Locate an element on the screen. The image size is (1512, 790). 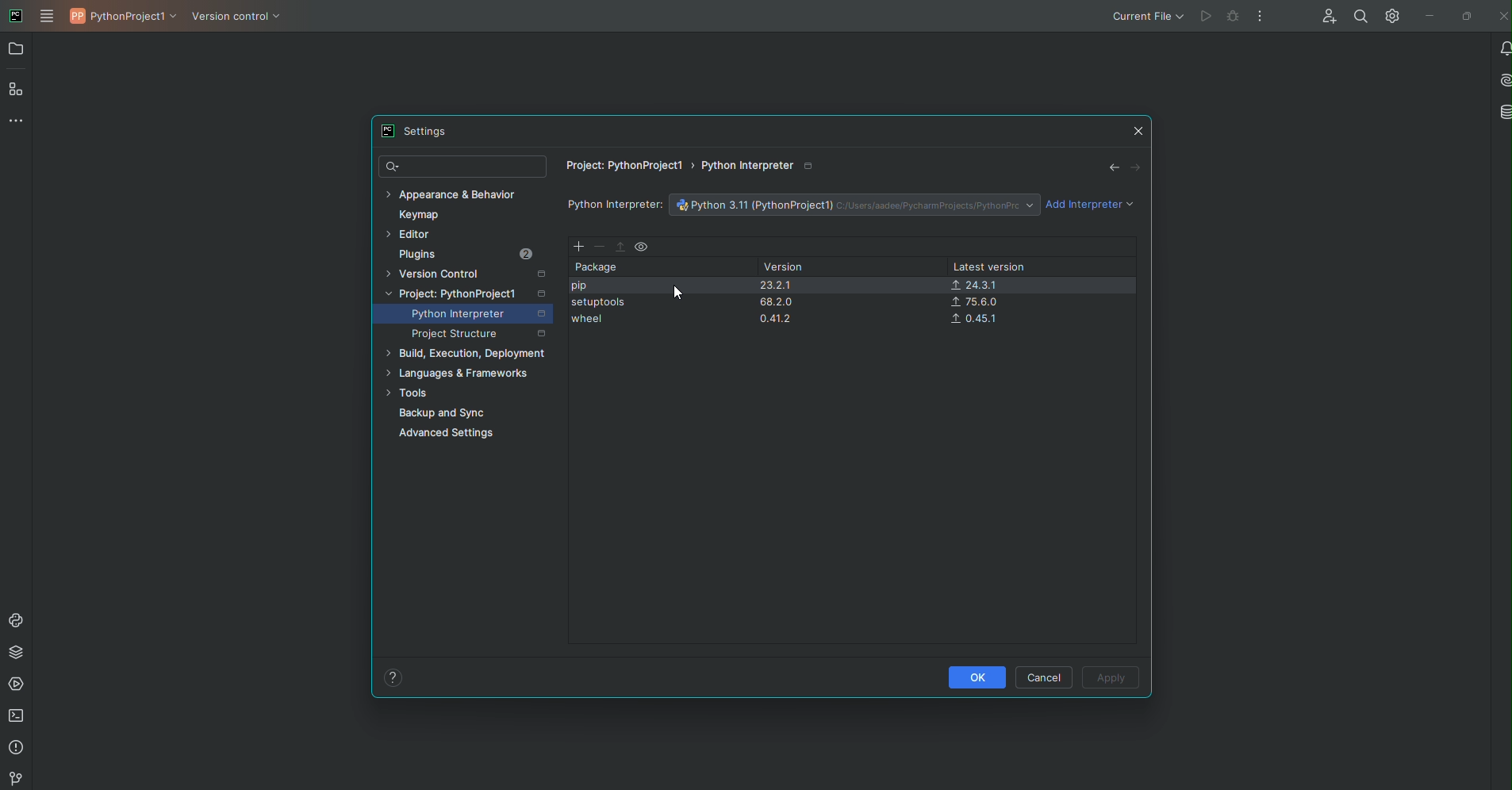
Packages is located at coordinates (15, 654).